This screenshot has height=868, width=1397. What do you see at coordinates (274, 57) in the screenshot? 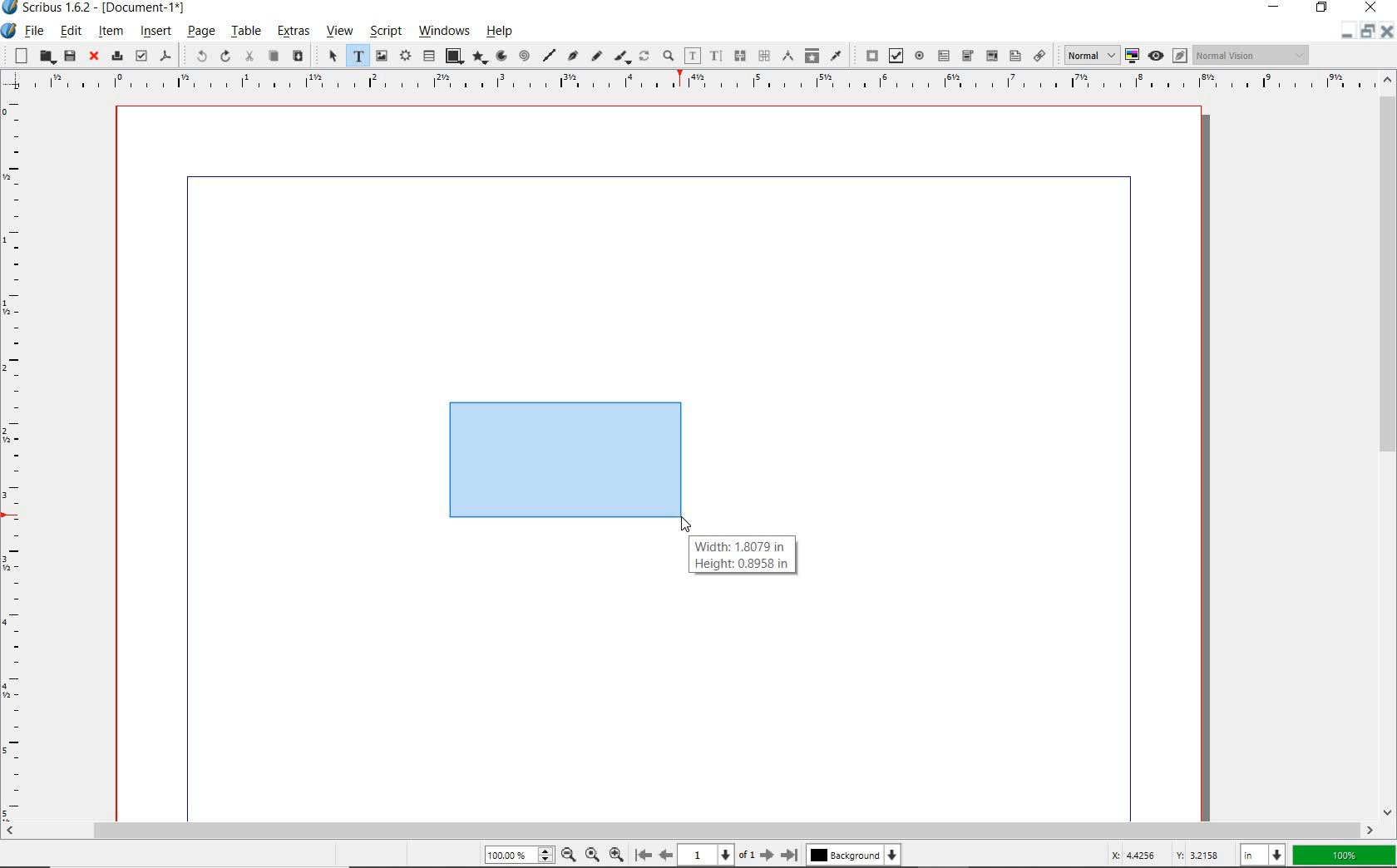
I see `copy` at bounding box center [274, 57].